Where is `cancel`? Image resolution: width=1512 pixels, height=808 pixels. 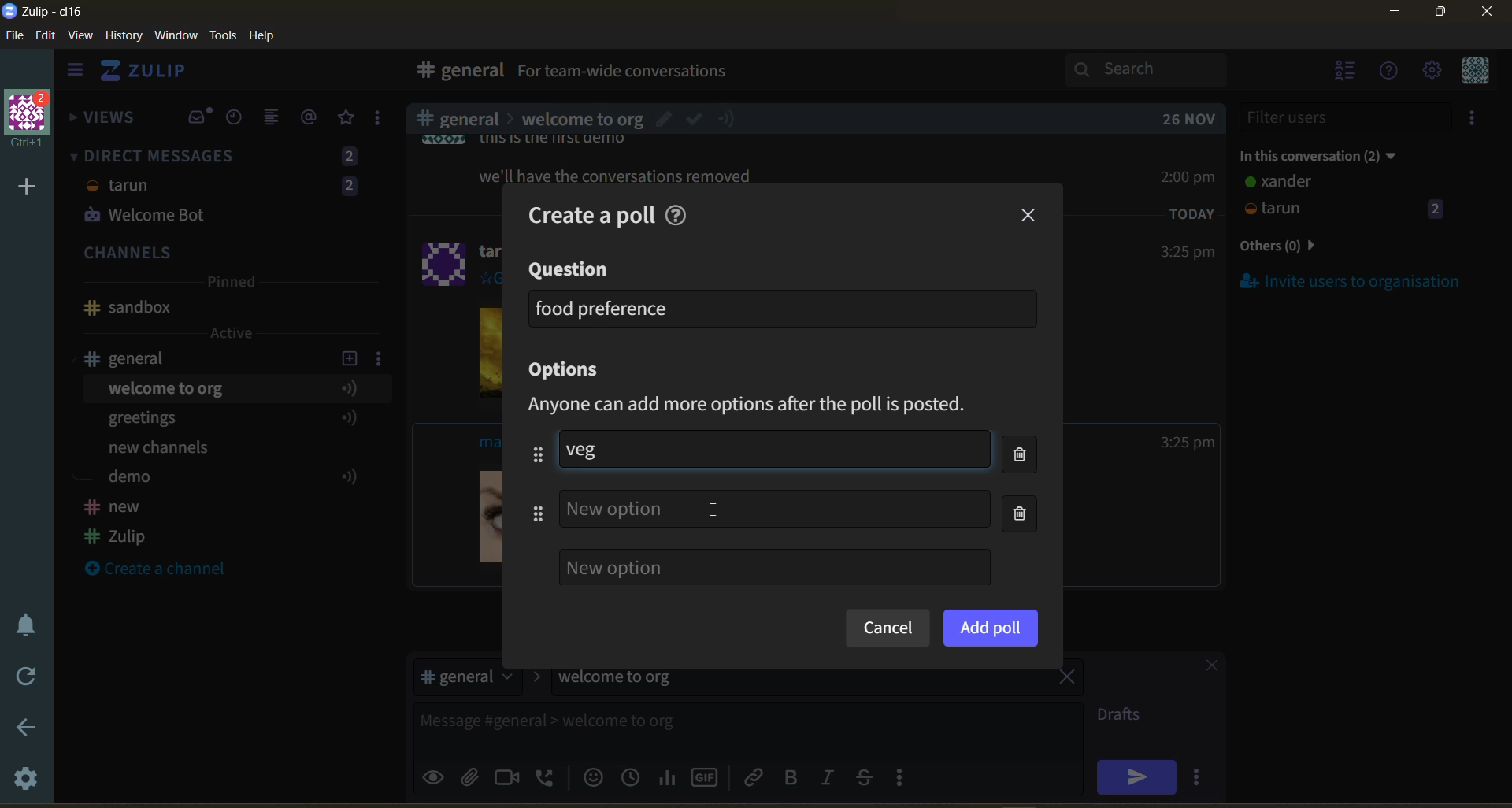 cancel is located at coordinates (887, 629).